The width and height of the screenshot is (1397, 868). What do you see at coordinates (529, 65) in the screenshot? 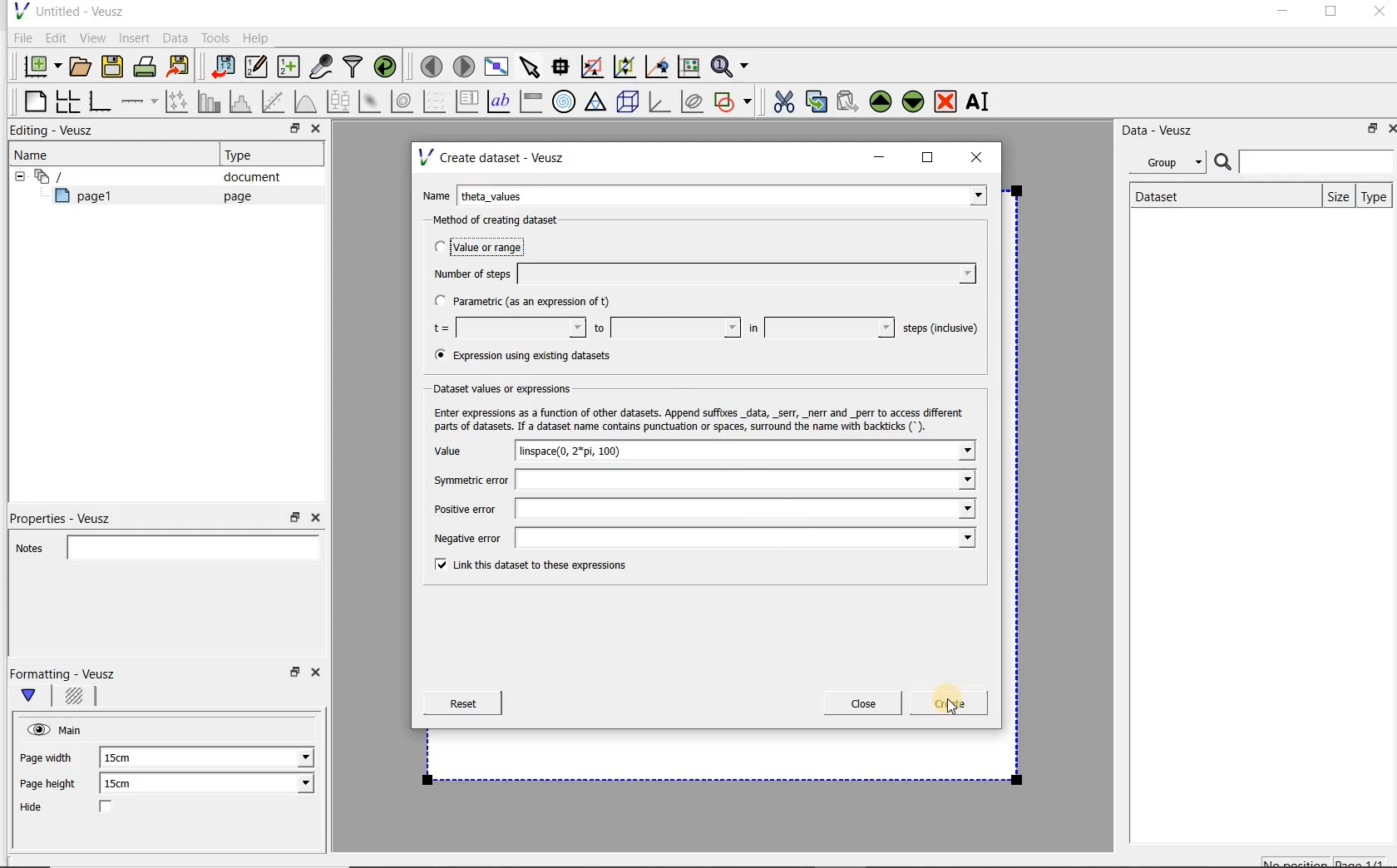
I see `select items from the graph or scroll` at bounding box center [529, 65].